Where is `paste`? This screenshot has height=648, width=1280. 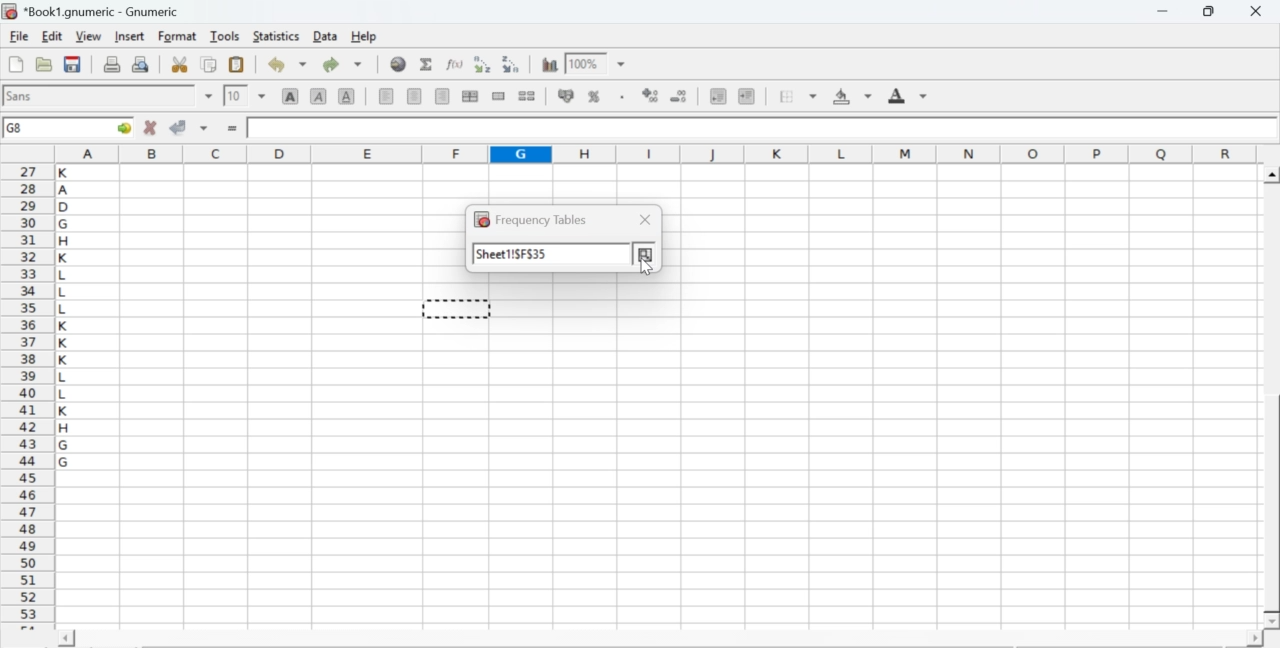
paste is located at coordinates (238, 65).